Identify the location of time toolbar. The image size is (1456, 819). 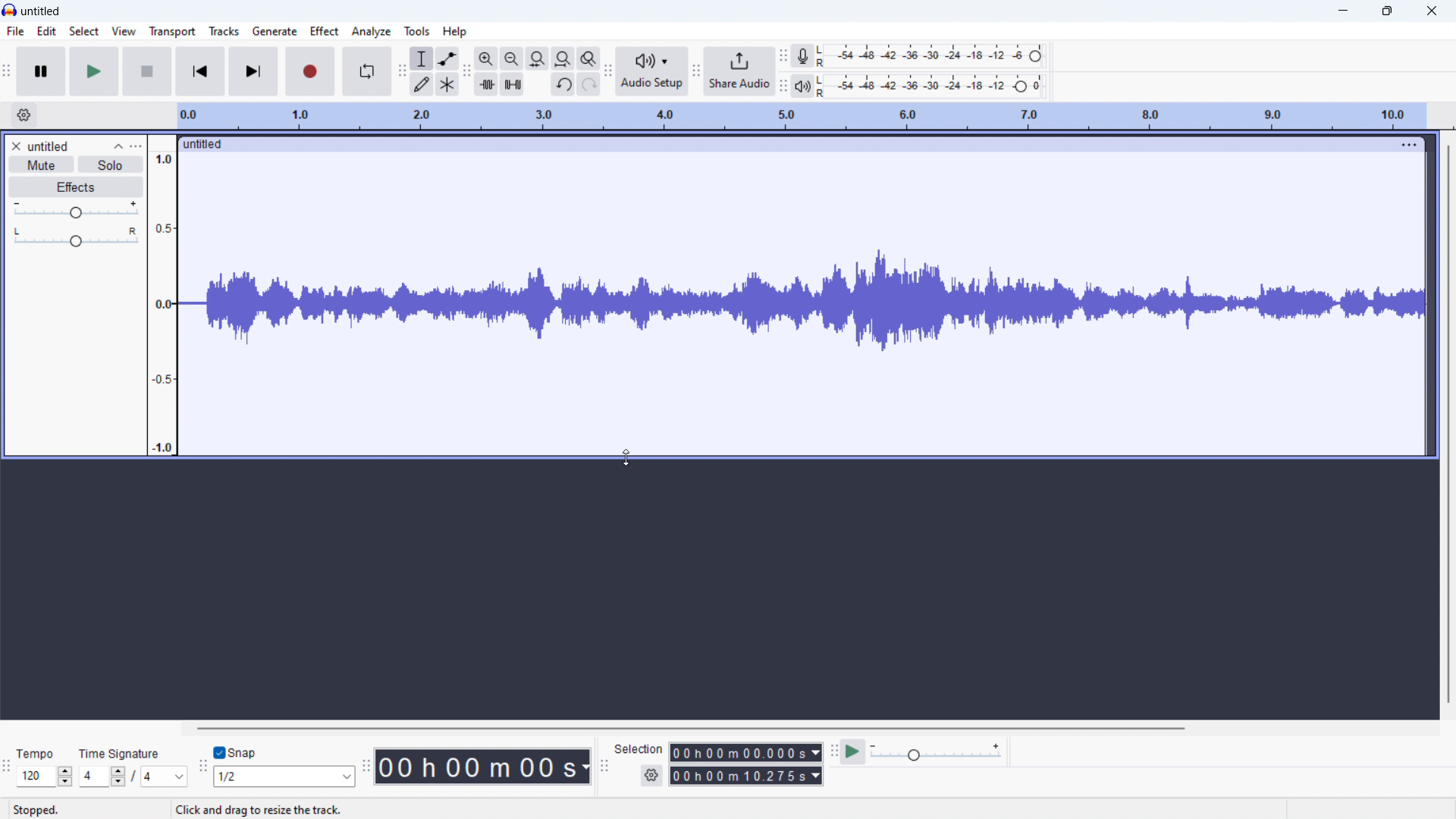
(365, 769).